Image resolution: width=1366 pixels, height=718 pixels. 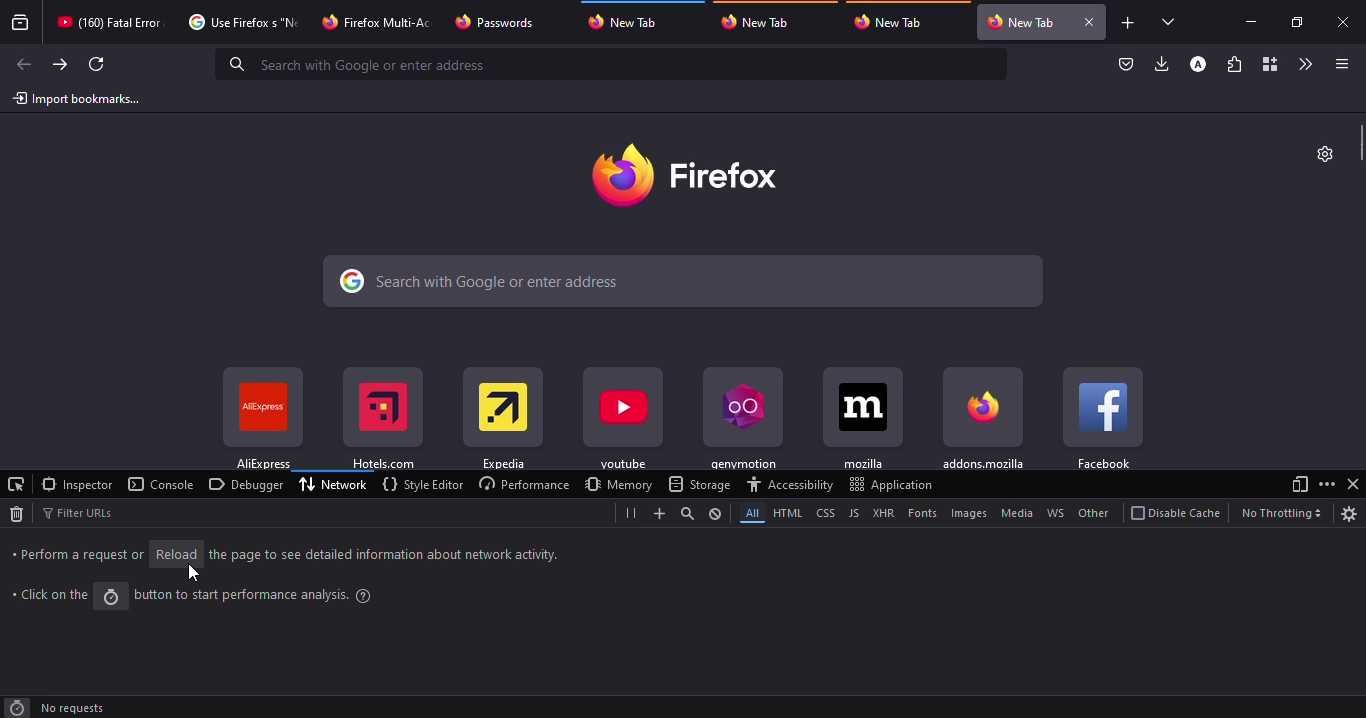 What do you see at coordinates (16, 514) in the screenshot?
I see `bin` at bounding box center [16, 514].